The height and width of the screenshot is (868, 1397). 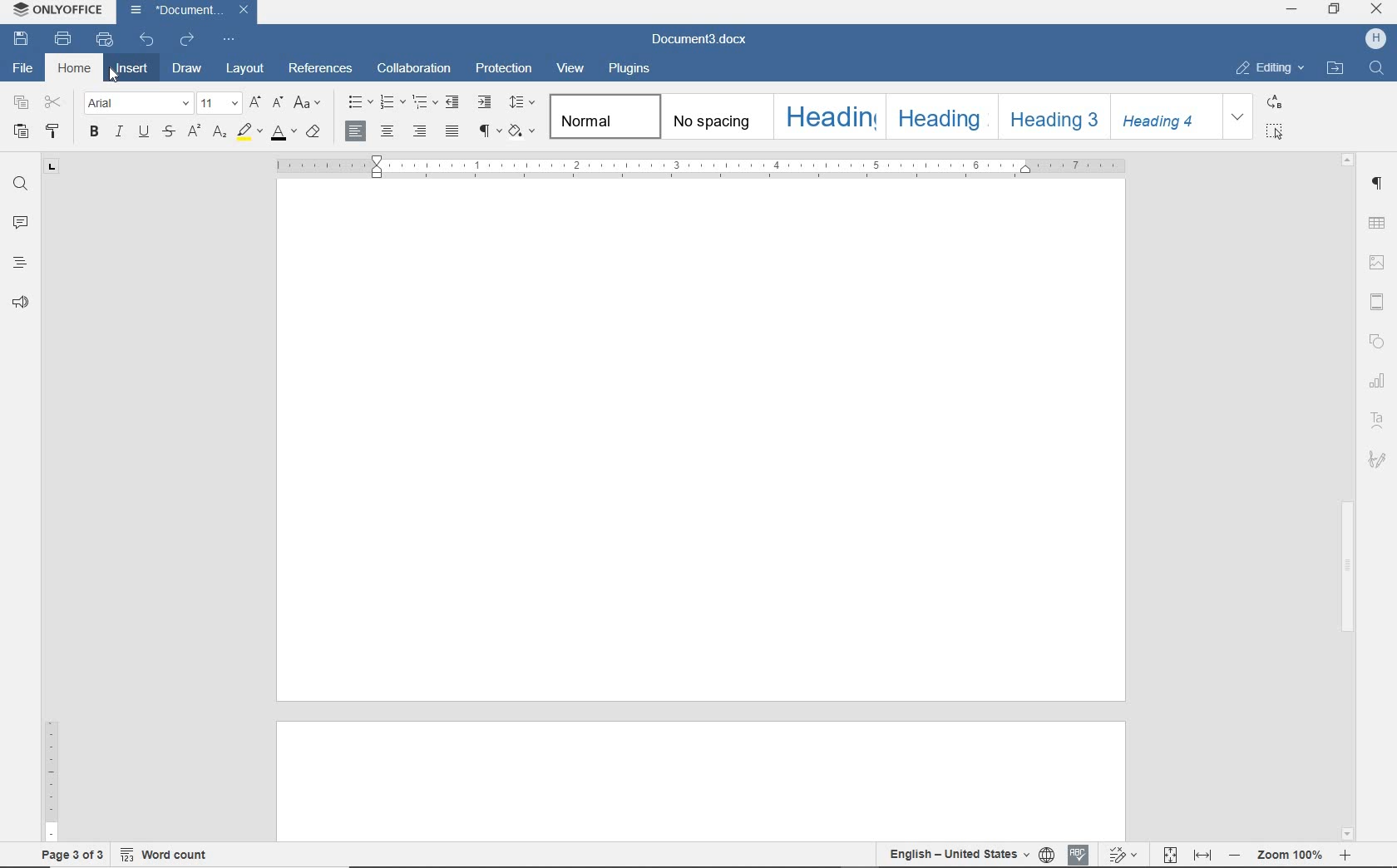 I want to click on DOCUMENT, so click(x=191, y=12).